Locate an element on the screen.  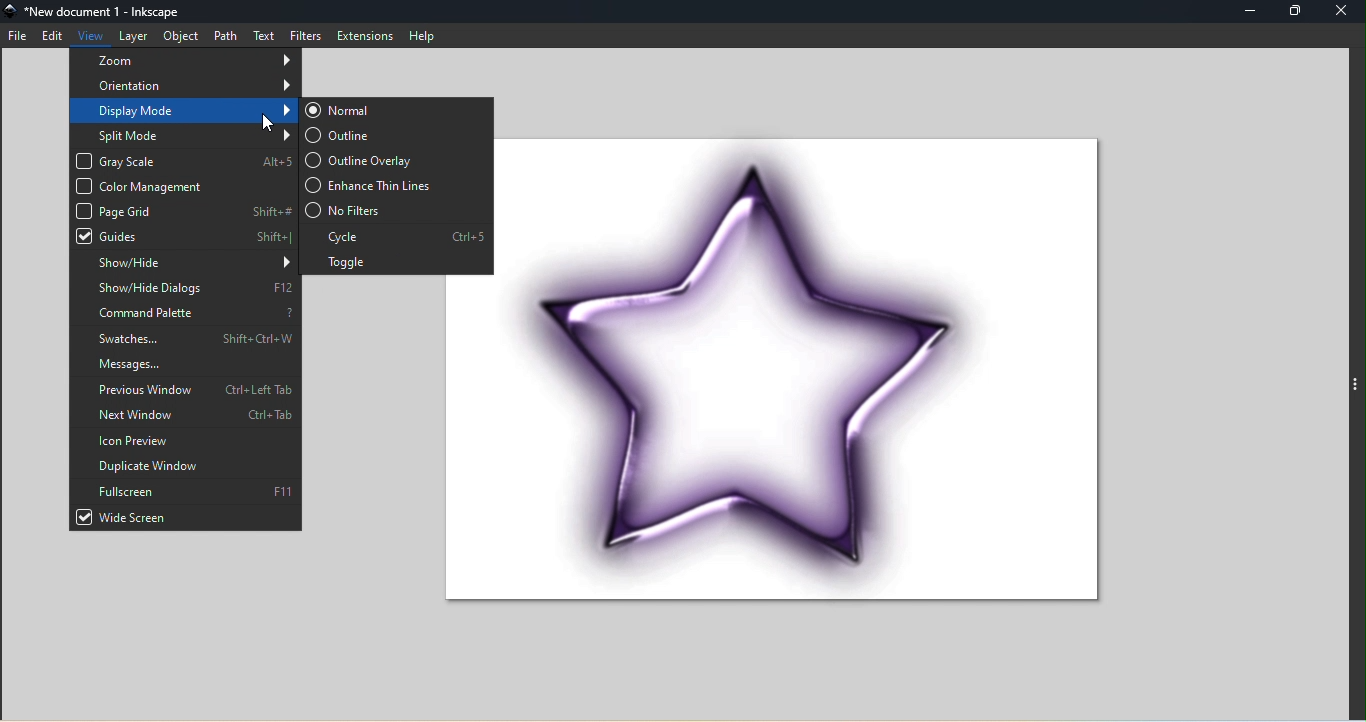
Minimize is located at coordinates (1252, 12).